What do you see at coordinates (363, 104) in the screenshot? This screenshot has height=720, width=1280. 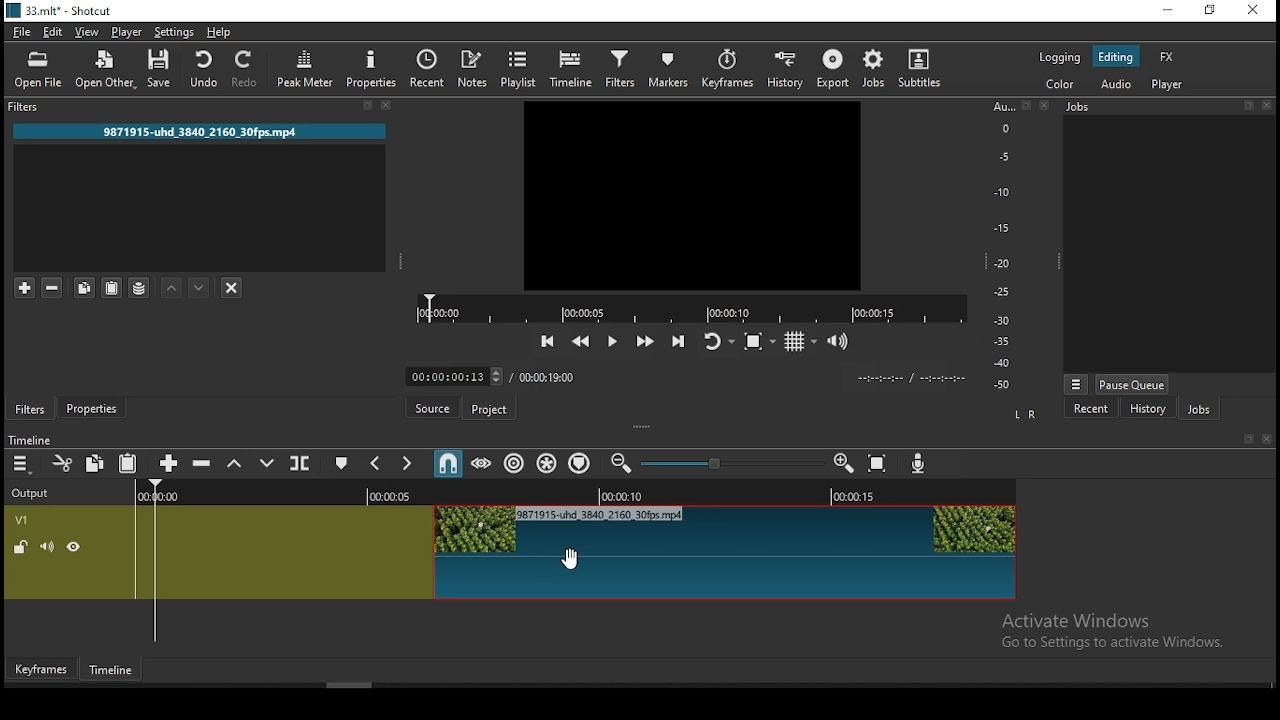 I see `bookmark` at bounding box center [363, 104].